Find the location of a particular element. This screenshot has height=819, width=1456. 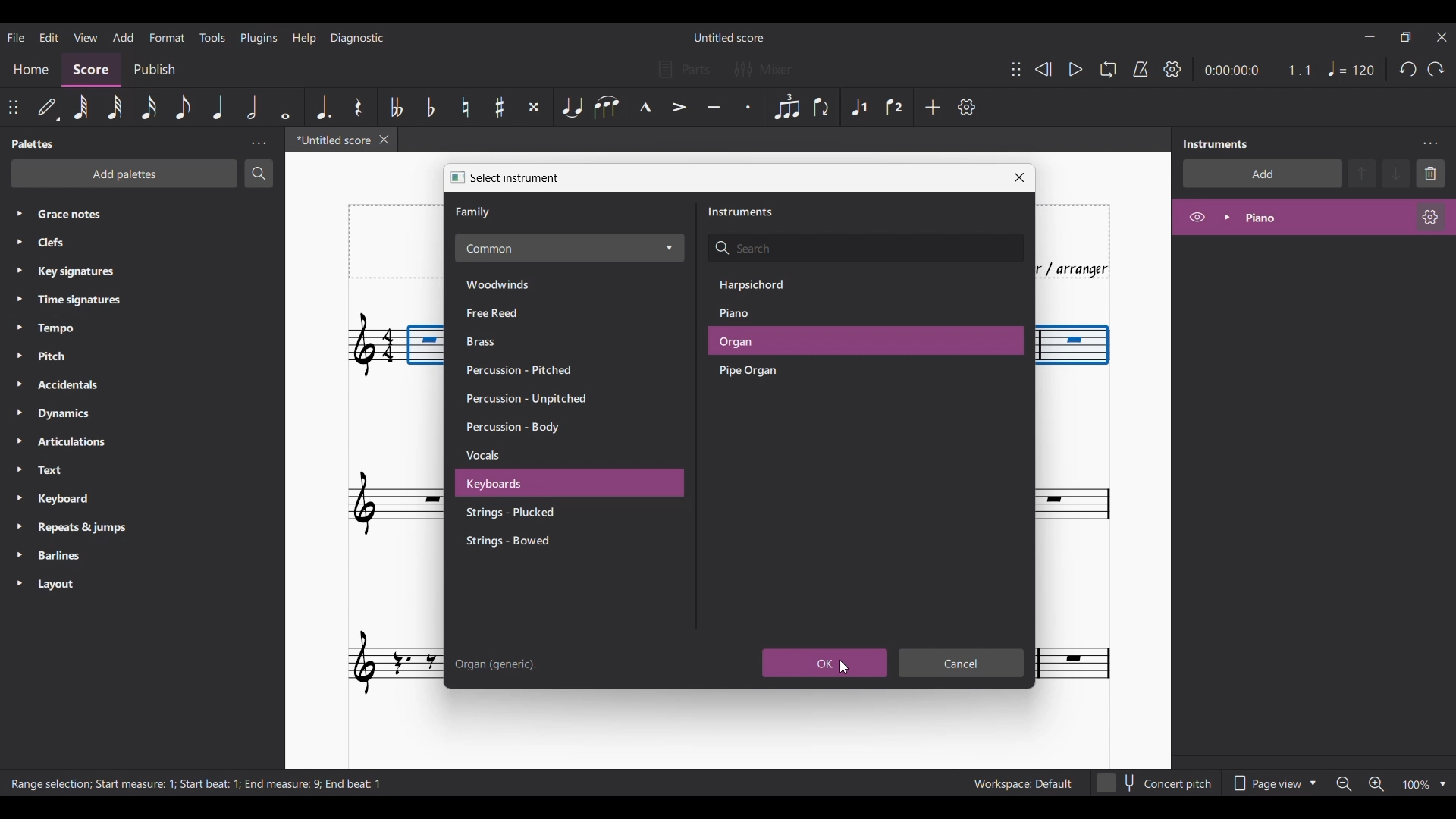

Plugins menu is located at coordinates (260, 37).